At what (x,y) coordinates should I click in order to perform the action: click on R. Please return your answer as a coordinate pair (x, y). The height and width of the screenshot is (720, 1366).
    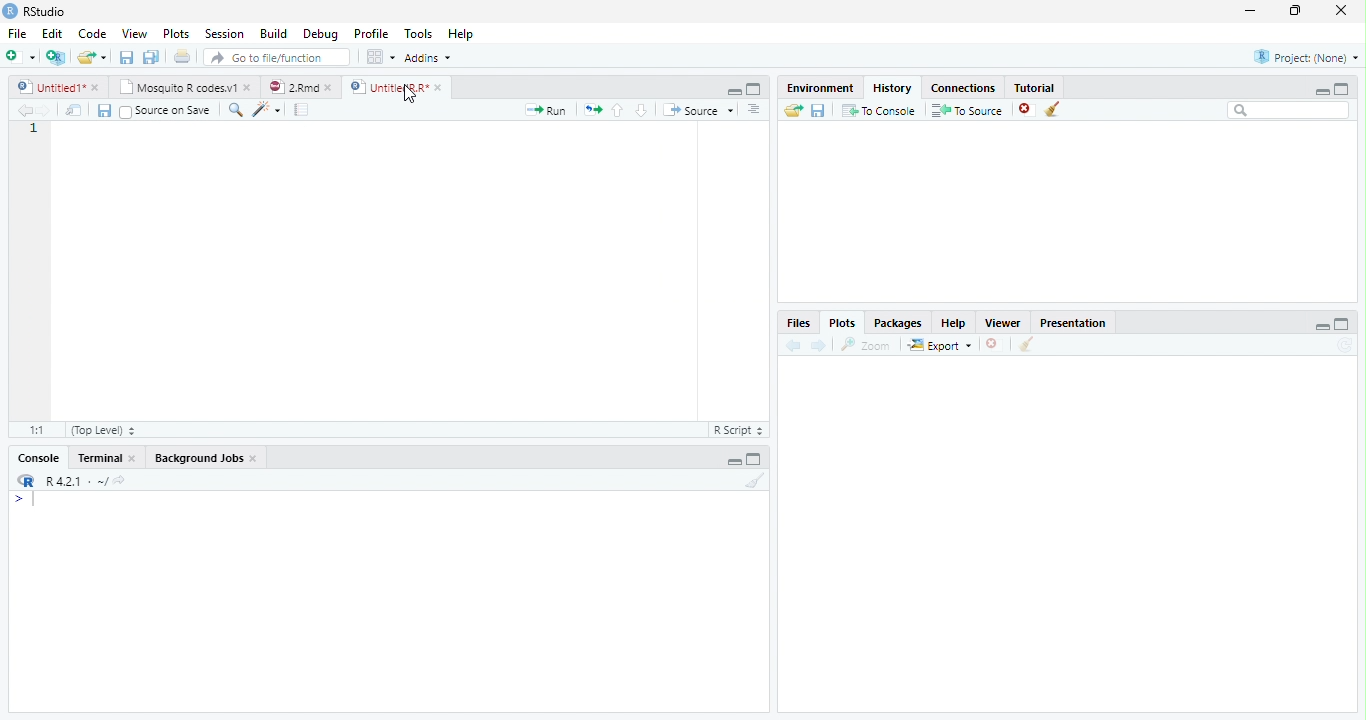
    Looking at the image, I should click on (26, 481).